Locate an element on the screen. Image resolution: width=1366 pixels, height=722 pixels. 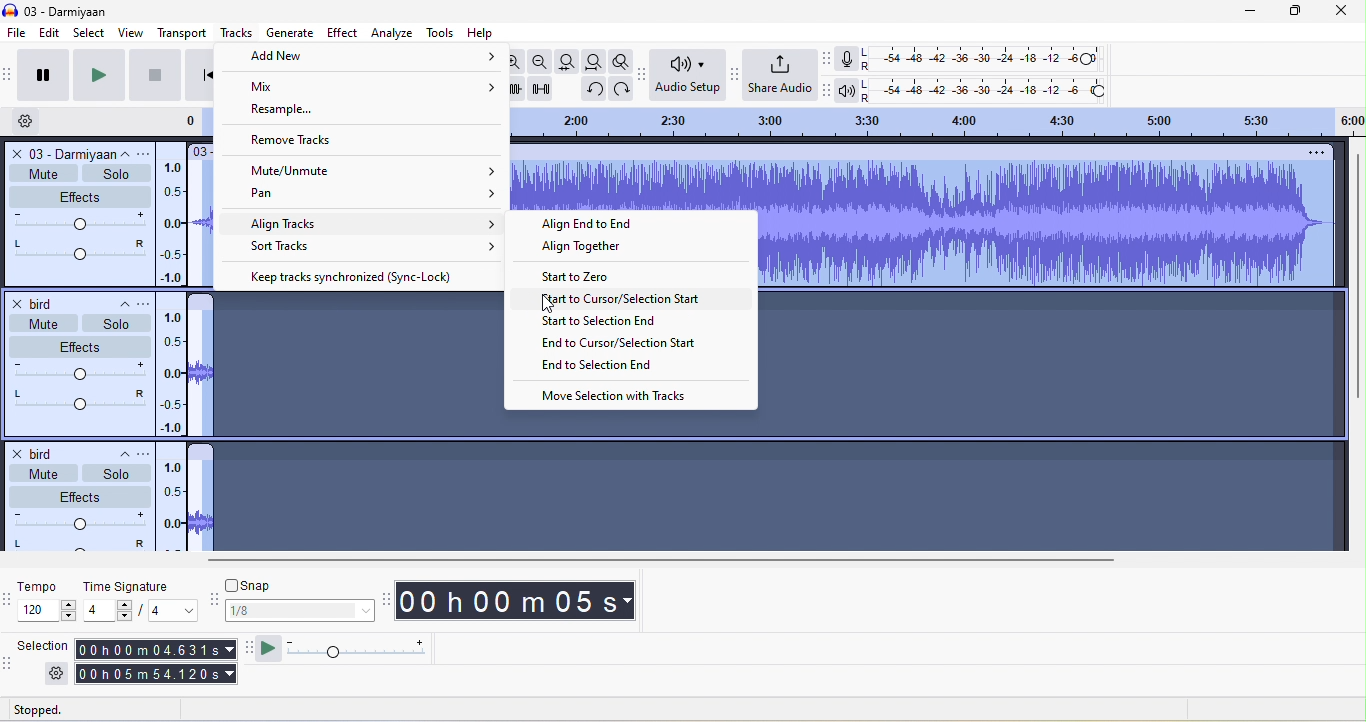
audacity time selection toolbar is located at coordinates (9, 598).